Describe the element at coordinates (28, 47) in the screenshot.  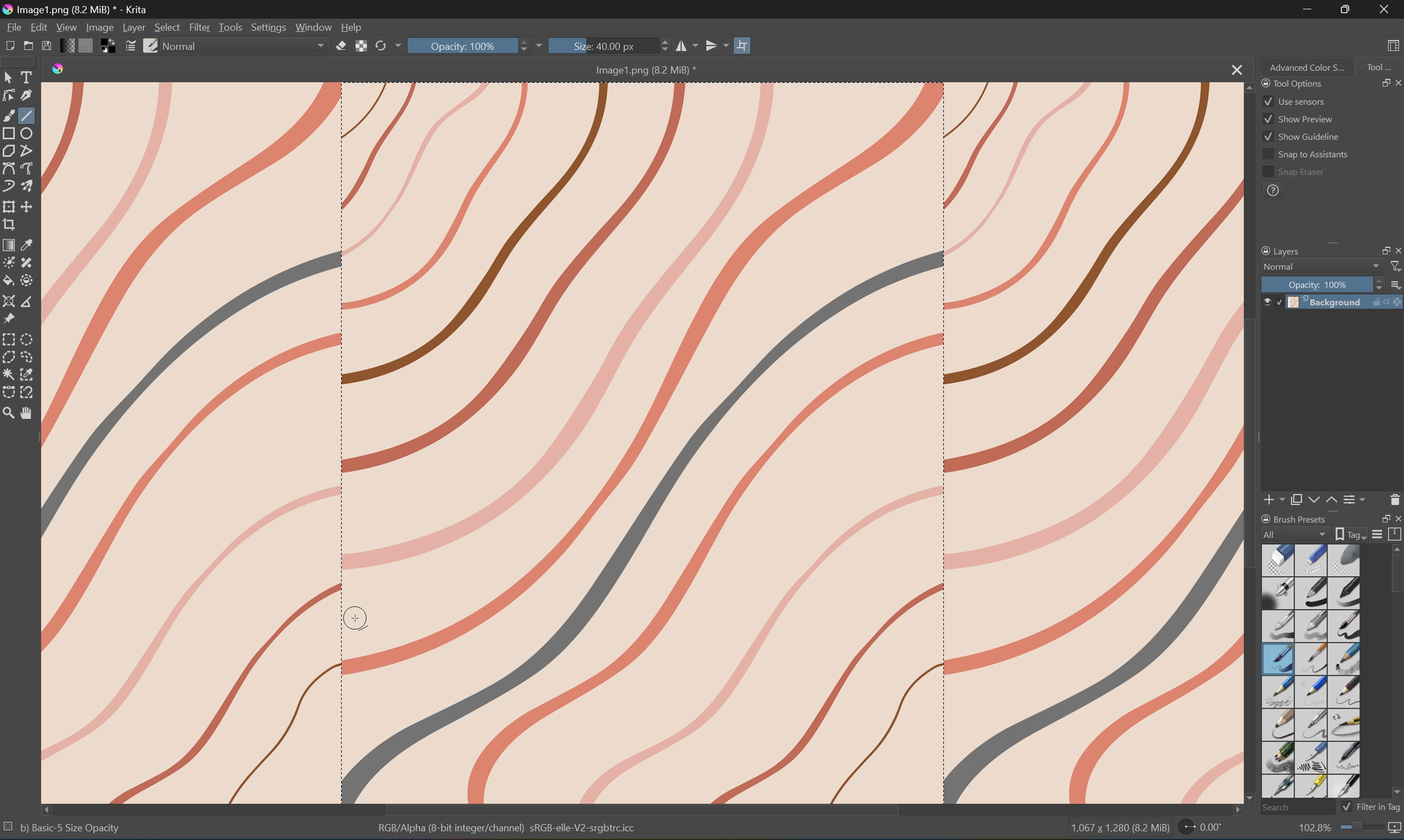
I see `Open existing document` at that location.